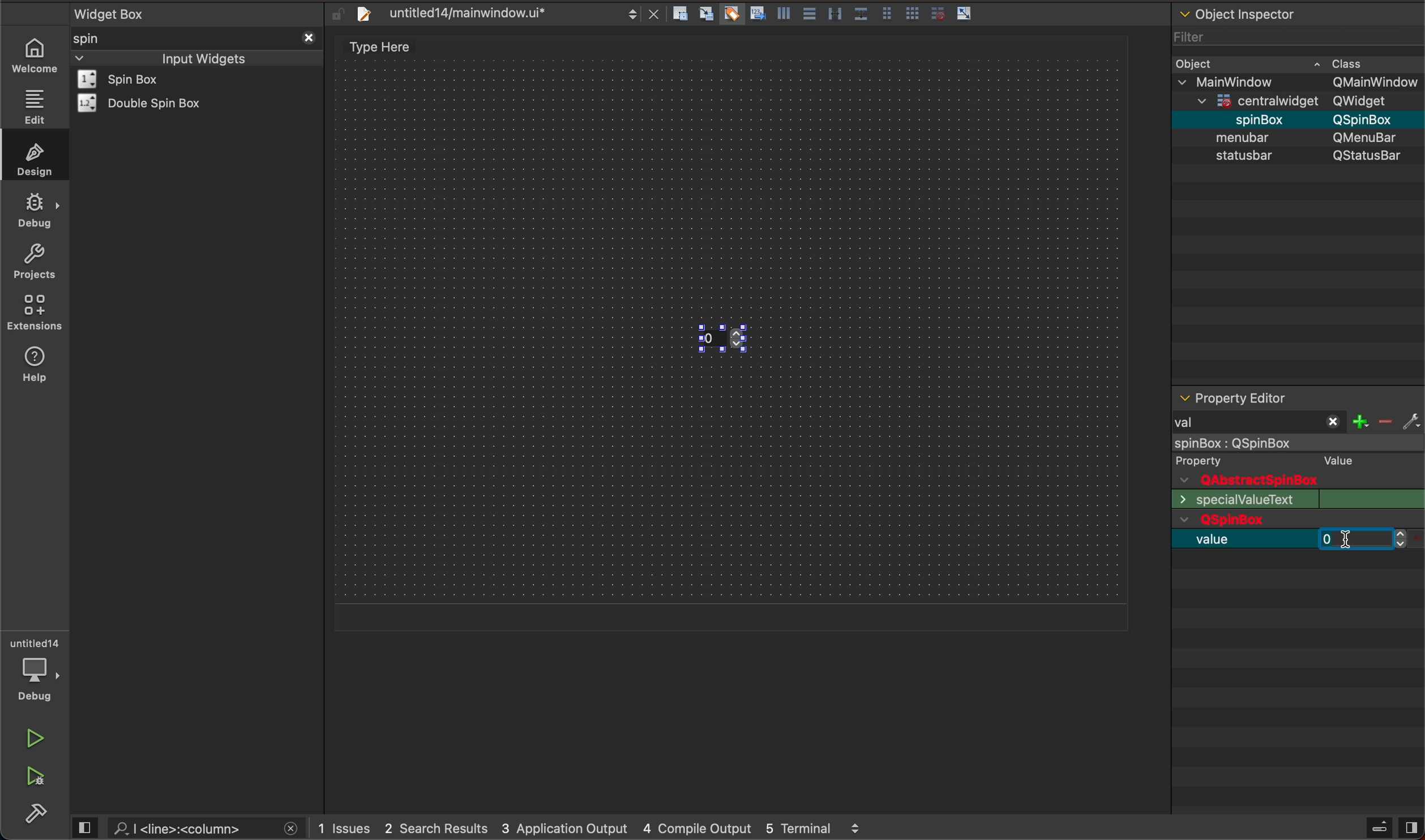  I want to click on , so click(1369, 101).